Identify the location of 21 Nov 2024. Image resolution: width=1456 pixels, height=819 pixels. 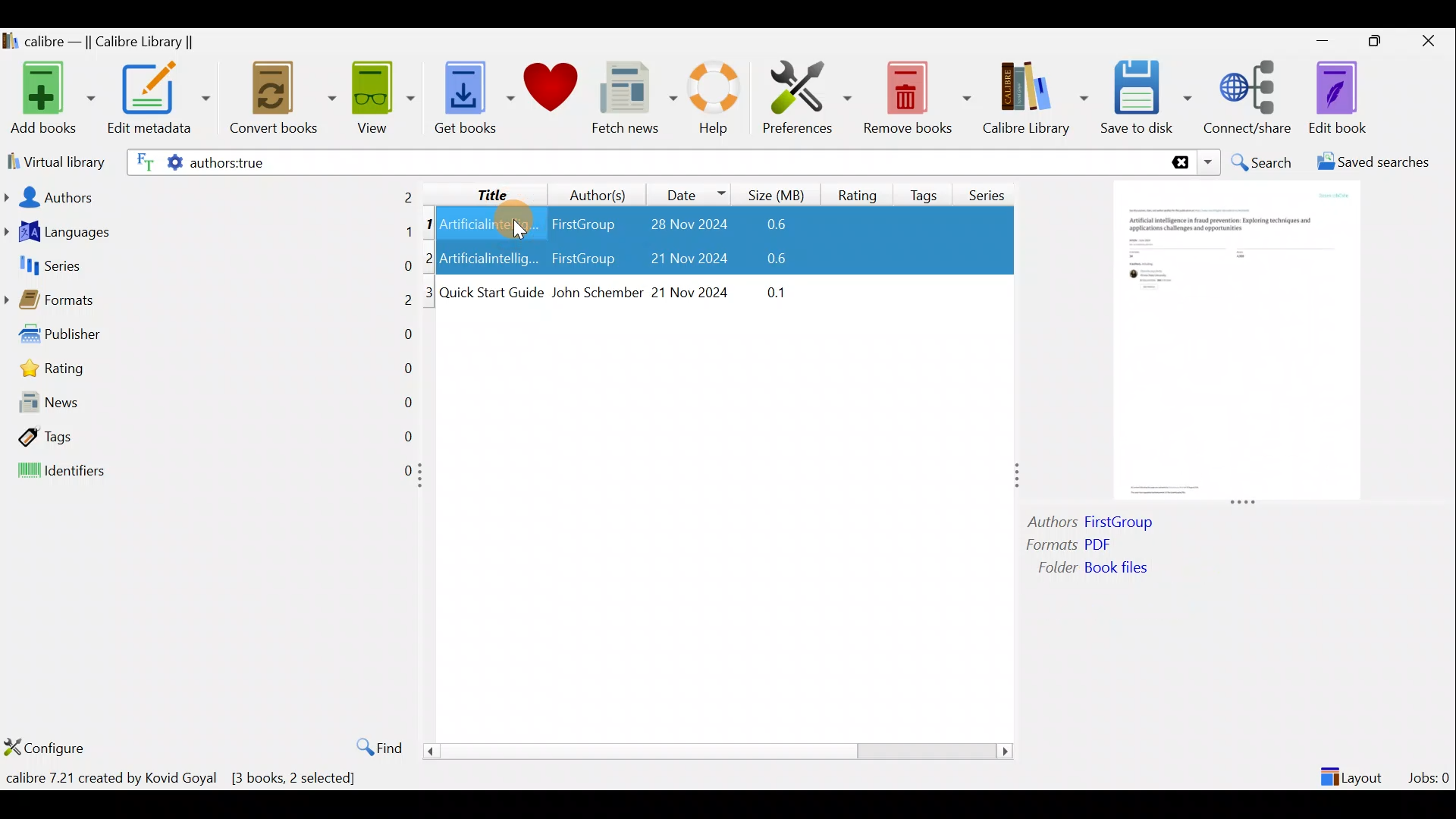
(692, 290).